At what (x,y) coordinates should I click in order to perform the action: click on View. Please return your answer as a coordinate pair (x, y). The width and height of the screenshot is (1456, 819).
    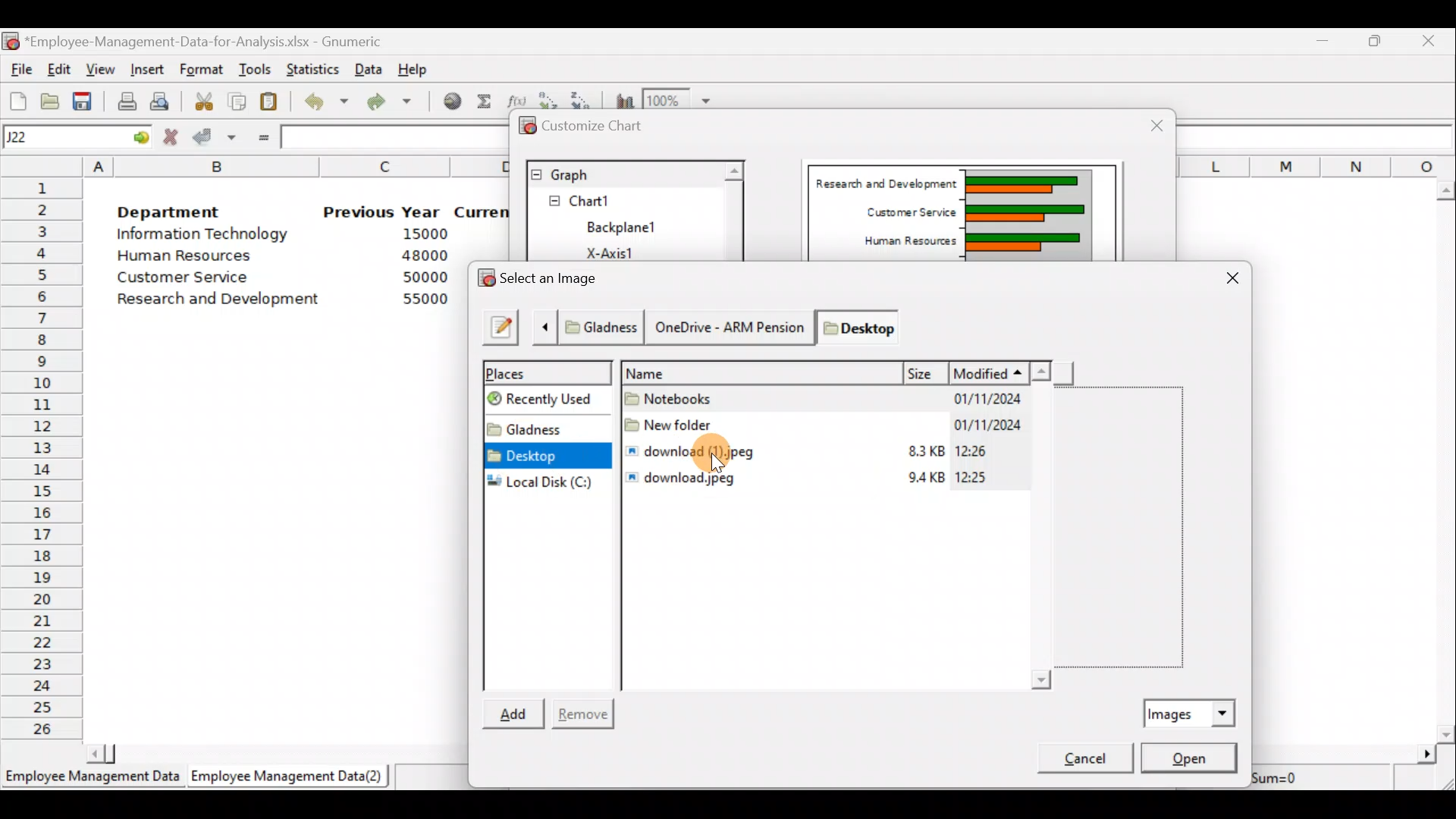
    Looking at the image, I should click on (101, 68).